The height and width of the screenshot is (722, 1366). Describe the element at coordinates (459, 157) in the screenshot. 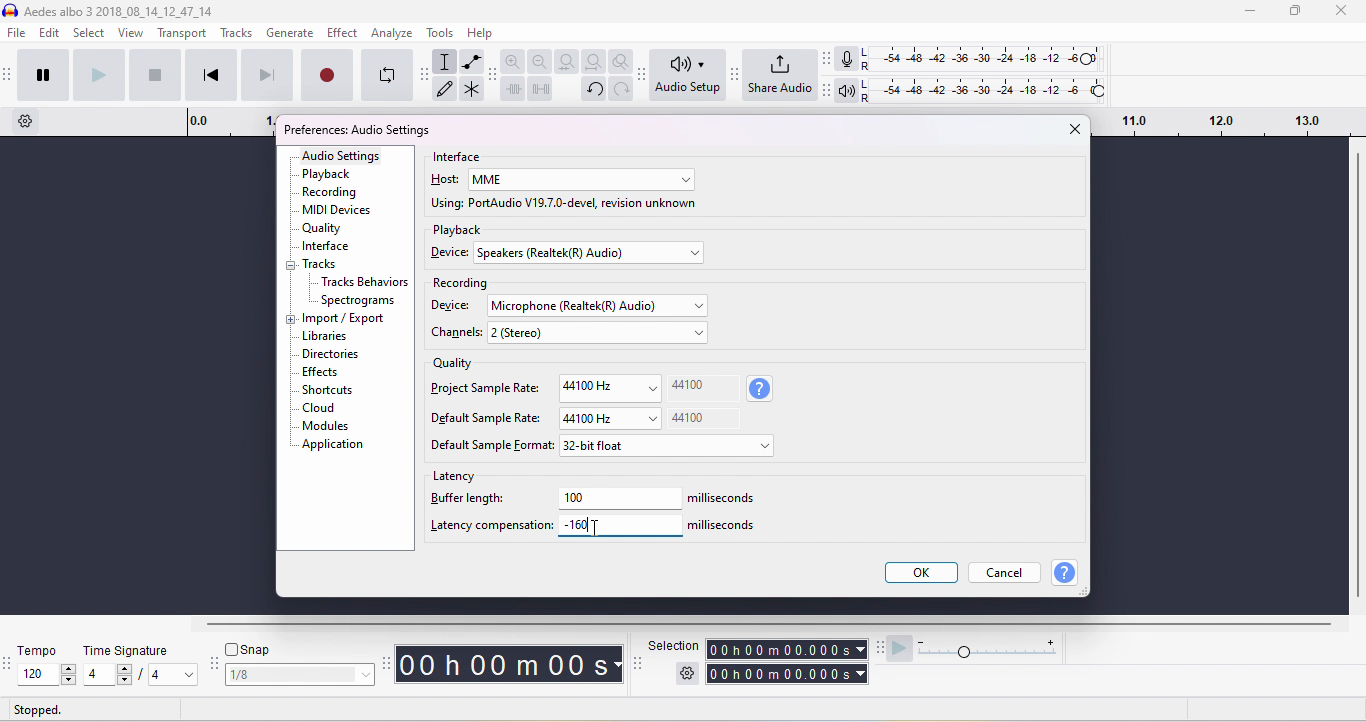

I see `interface` at that location.